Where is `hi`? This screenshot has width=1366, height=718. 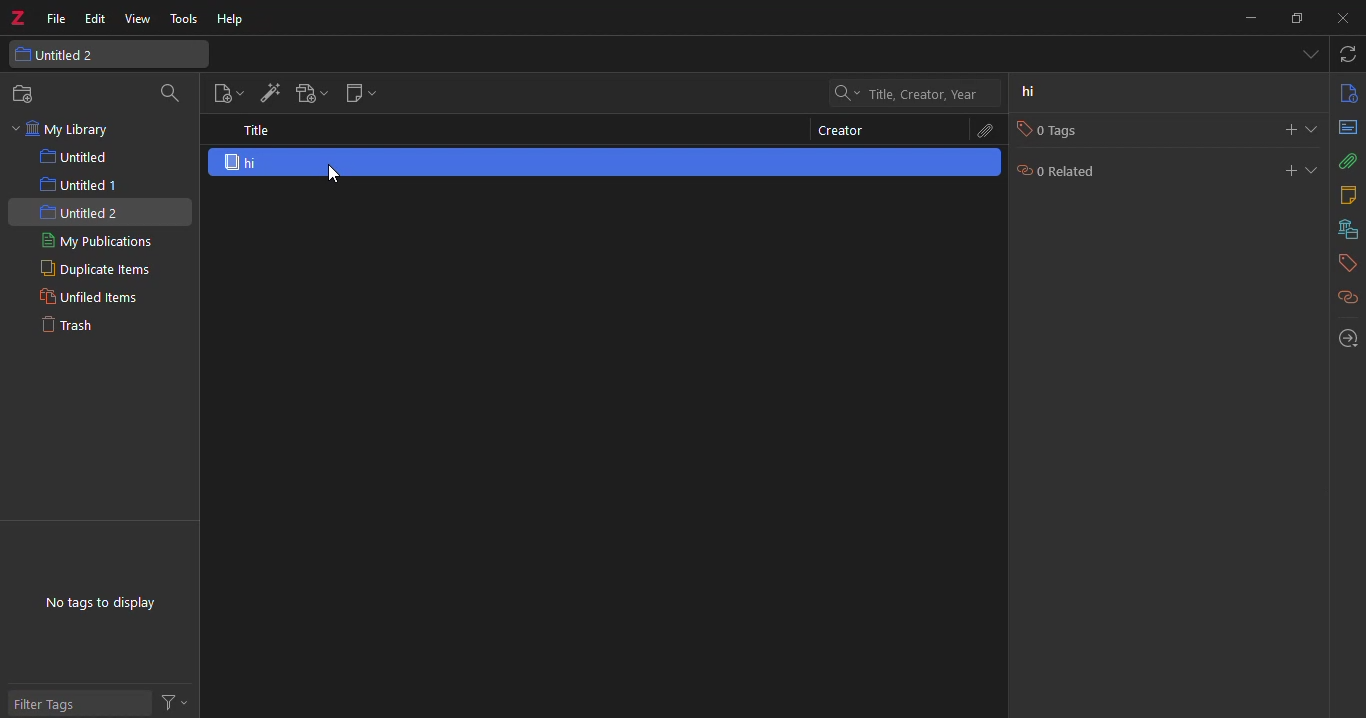 hi is located at coordinates (250, 162).